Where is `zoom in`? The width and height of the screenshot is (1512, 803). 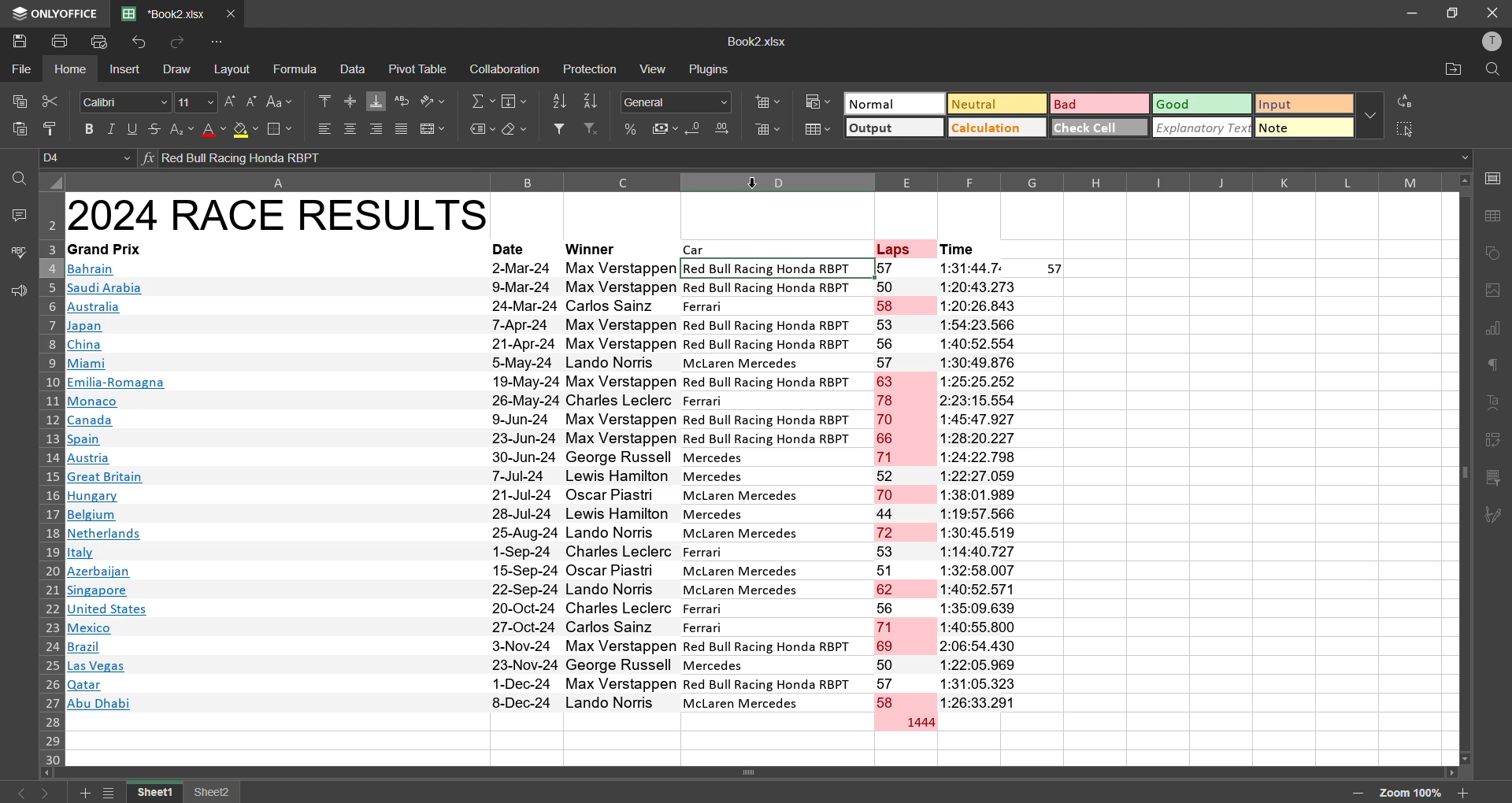 zoom in is located at coordinates (1463, 793).